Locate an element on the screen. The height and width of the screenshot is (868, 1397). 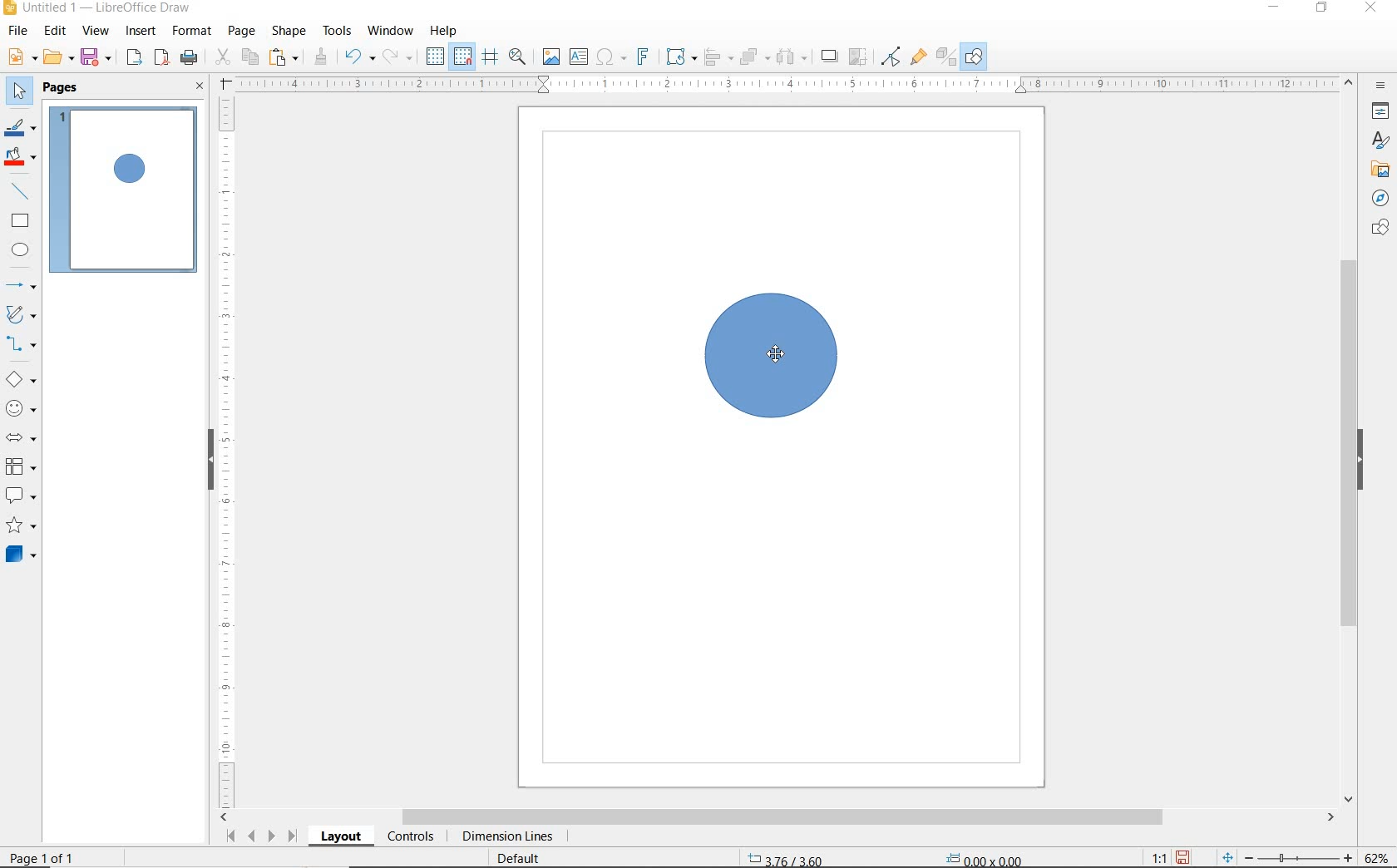
PAGE 1 is located at coordinates (126, 190).